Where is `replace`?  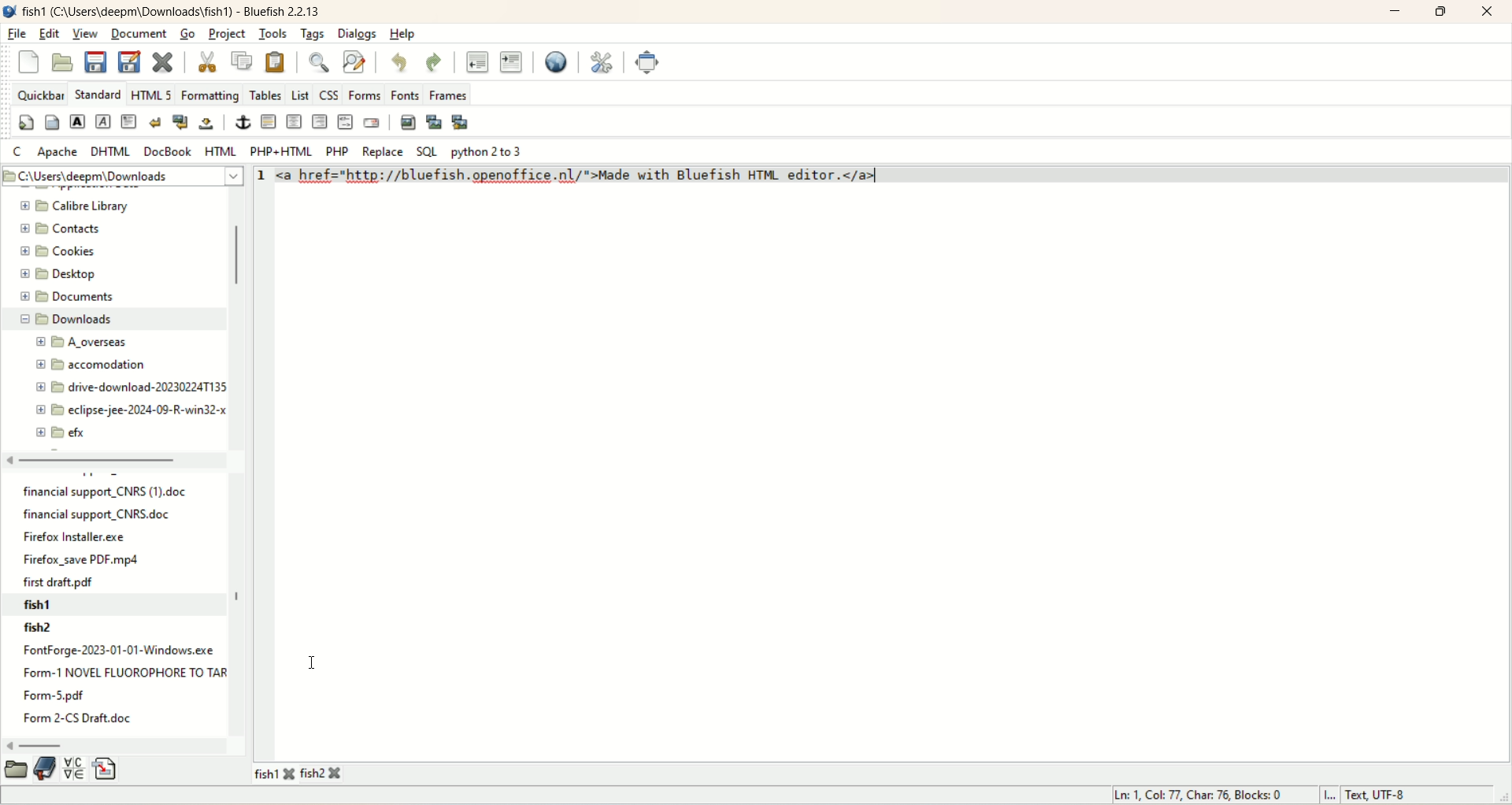 replace is located at coordinates (383, 152).